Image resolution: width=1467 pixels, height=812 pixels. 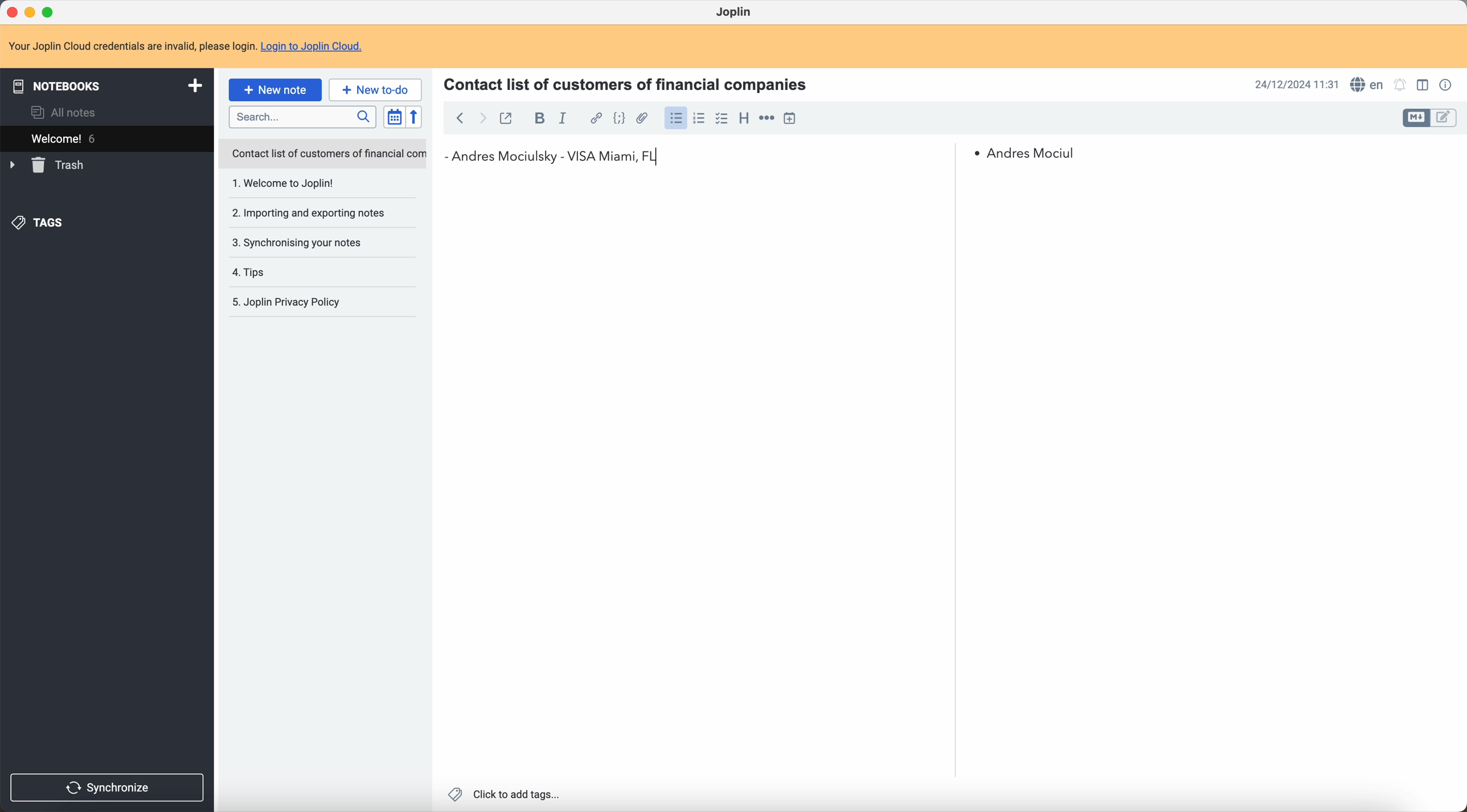 What do you see at coordinates (1400, 85) in the screenshot?
I see `set notifications` at bounding box center [1400, 85].